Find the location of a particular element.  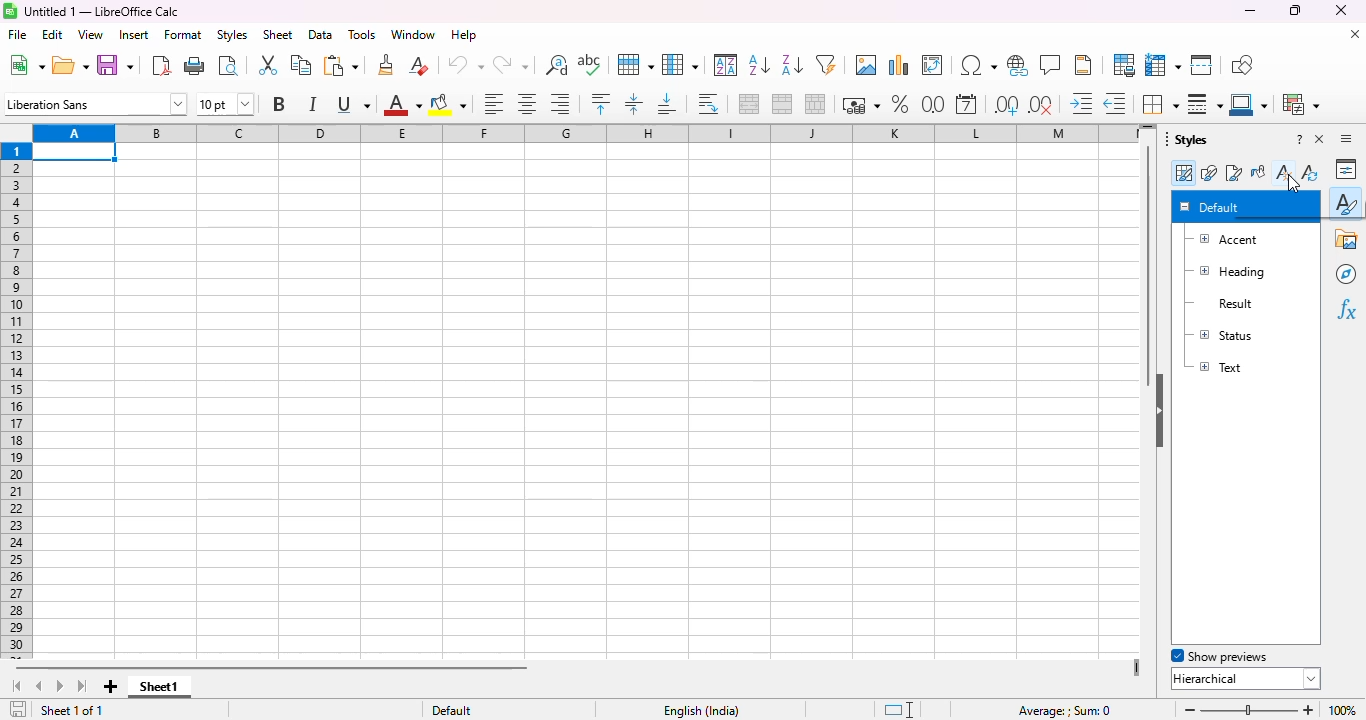

click to save the document is located at coordinates (18, 709).